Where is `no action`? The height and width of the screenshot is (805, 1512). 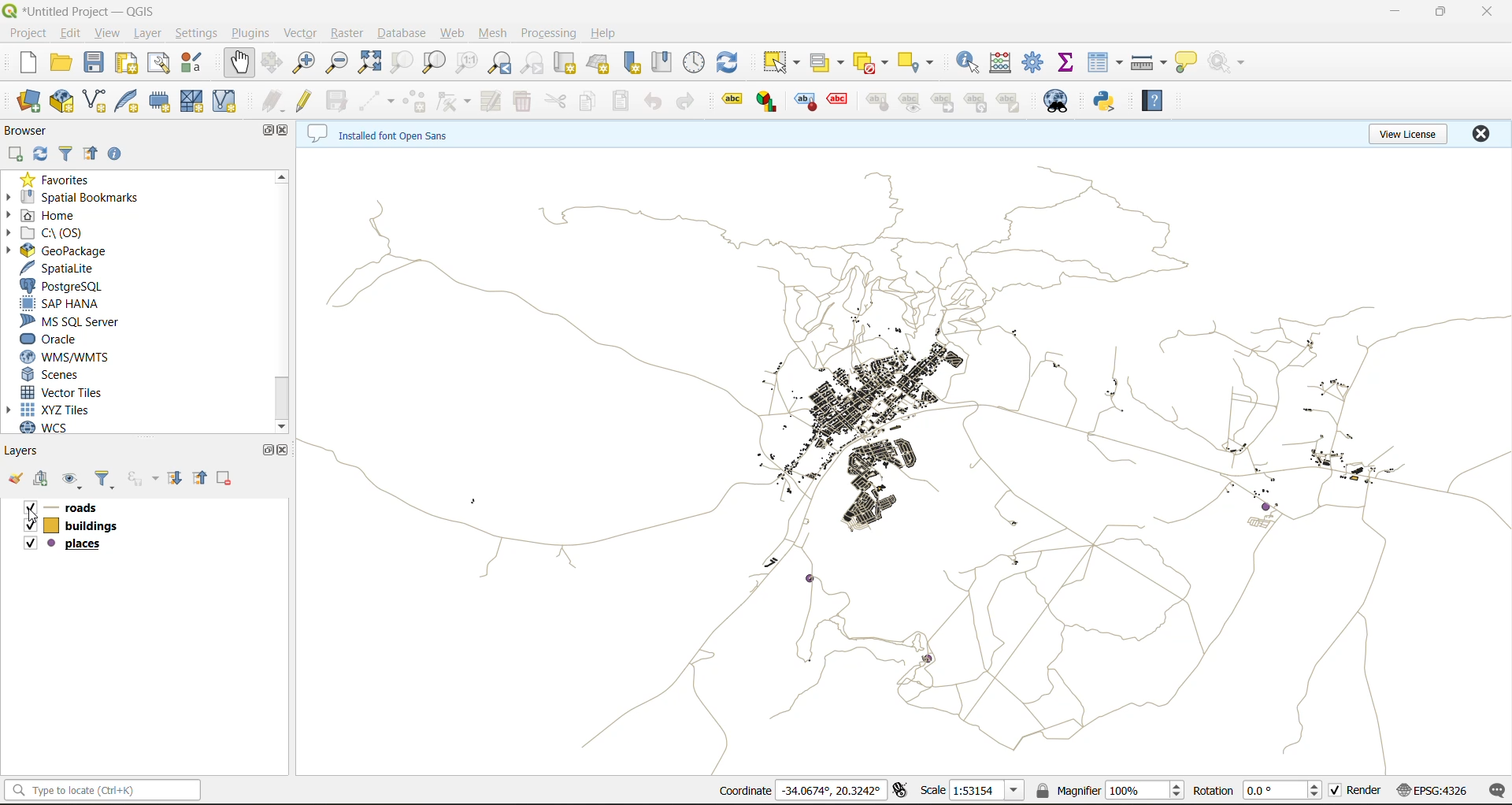 no action is located at coordinates (1228, 61).